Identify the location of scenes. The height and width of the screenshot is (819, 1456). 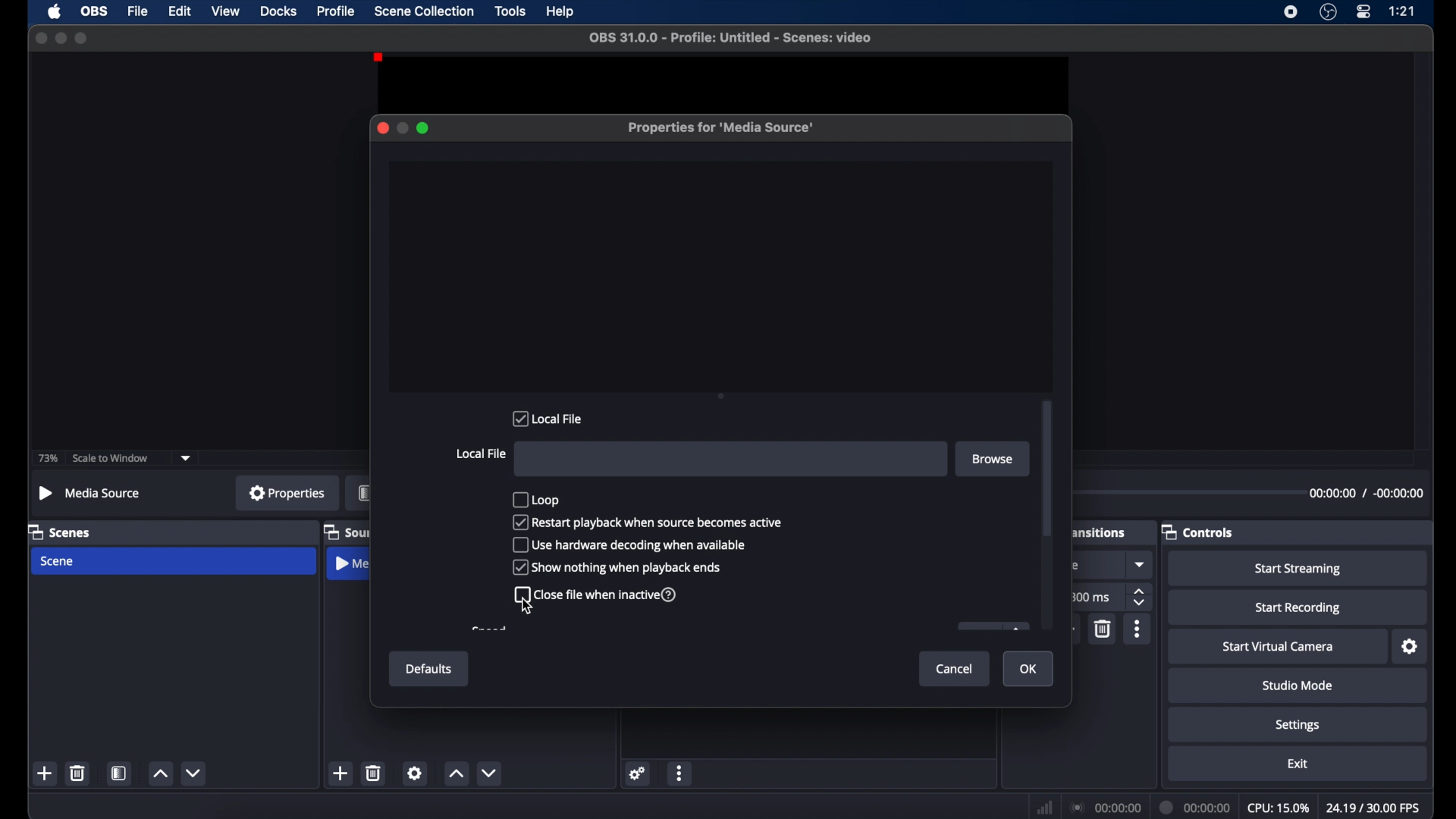
(60, 532).